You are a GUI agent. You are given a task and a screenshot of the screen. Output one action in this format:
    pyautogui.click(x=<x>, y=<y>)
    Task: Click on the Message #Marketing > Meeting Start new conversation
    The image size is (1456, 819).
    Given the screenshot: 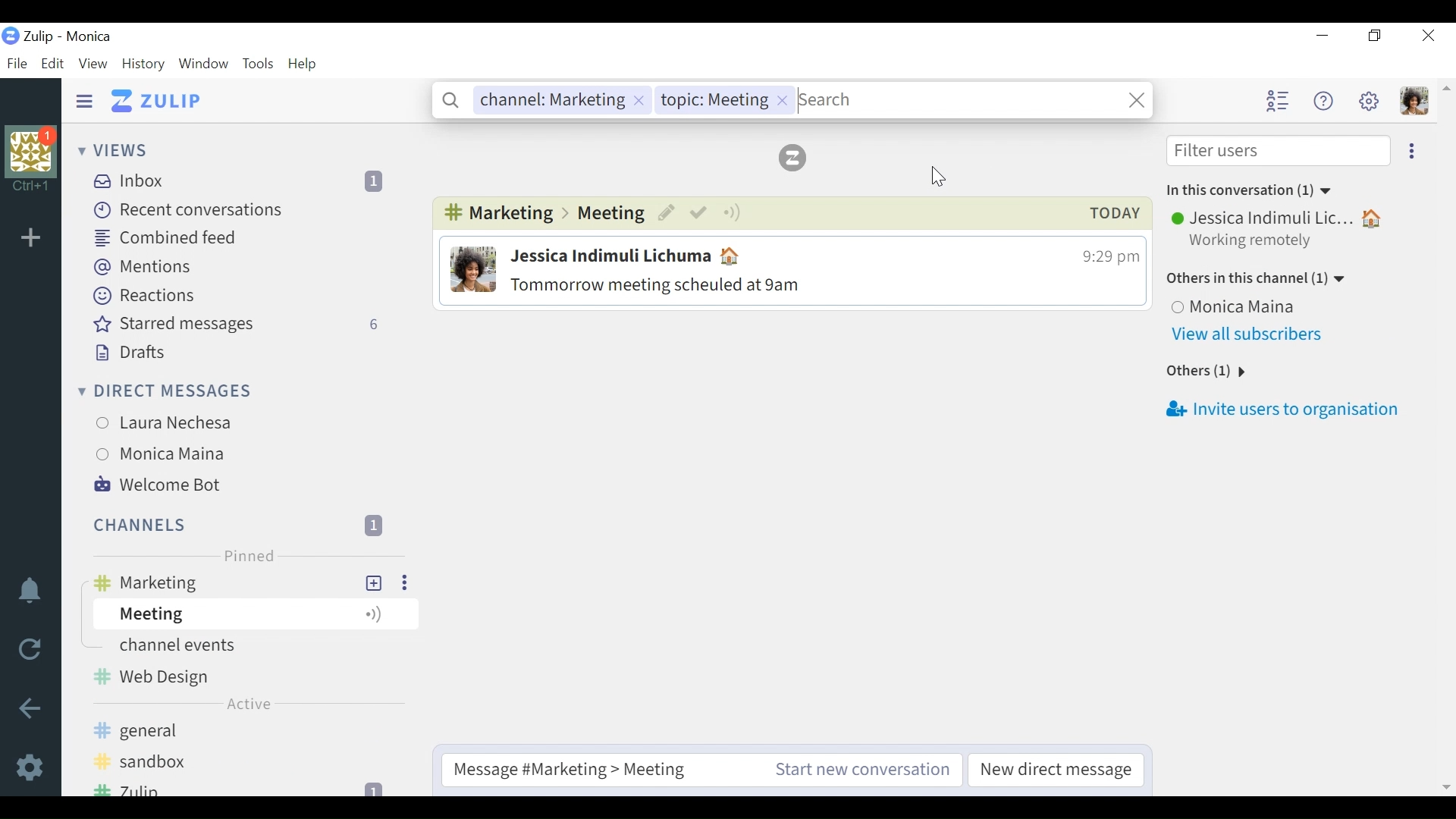 What is the action you would take?
    pyautogui.click(x=703, y=770)
    